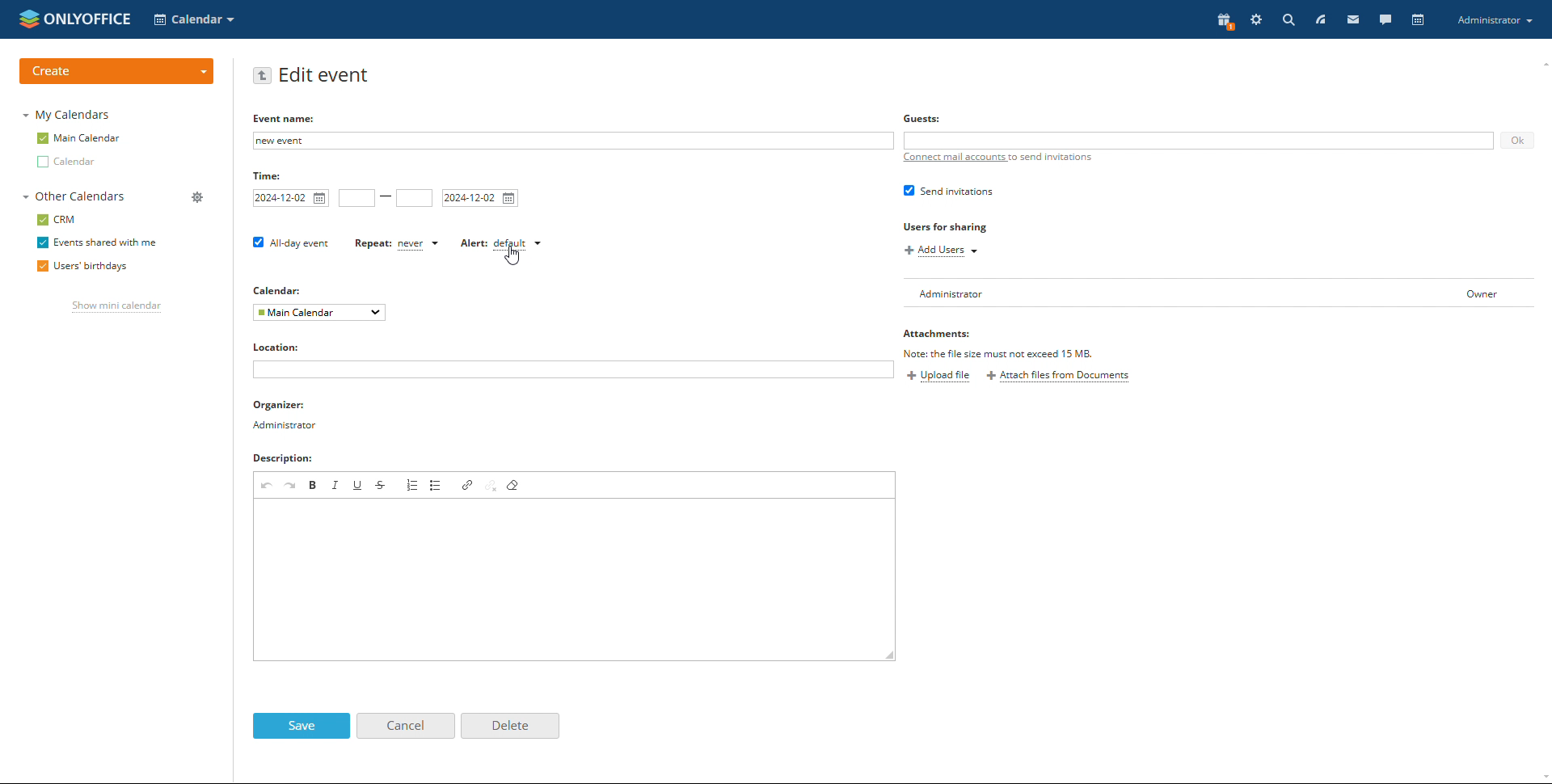 The image size is (1552, 784). What do you see at coordinates (289, 484) in the screenshot?
I see `redo` at bounding box center [289, 484].